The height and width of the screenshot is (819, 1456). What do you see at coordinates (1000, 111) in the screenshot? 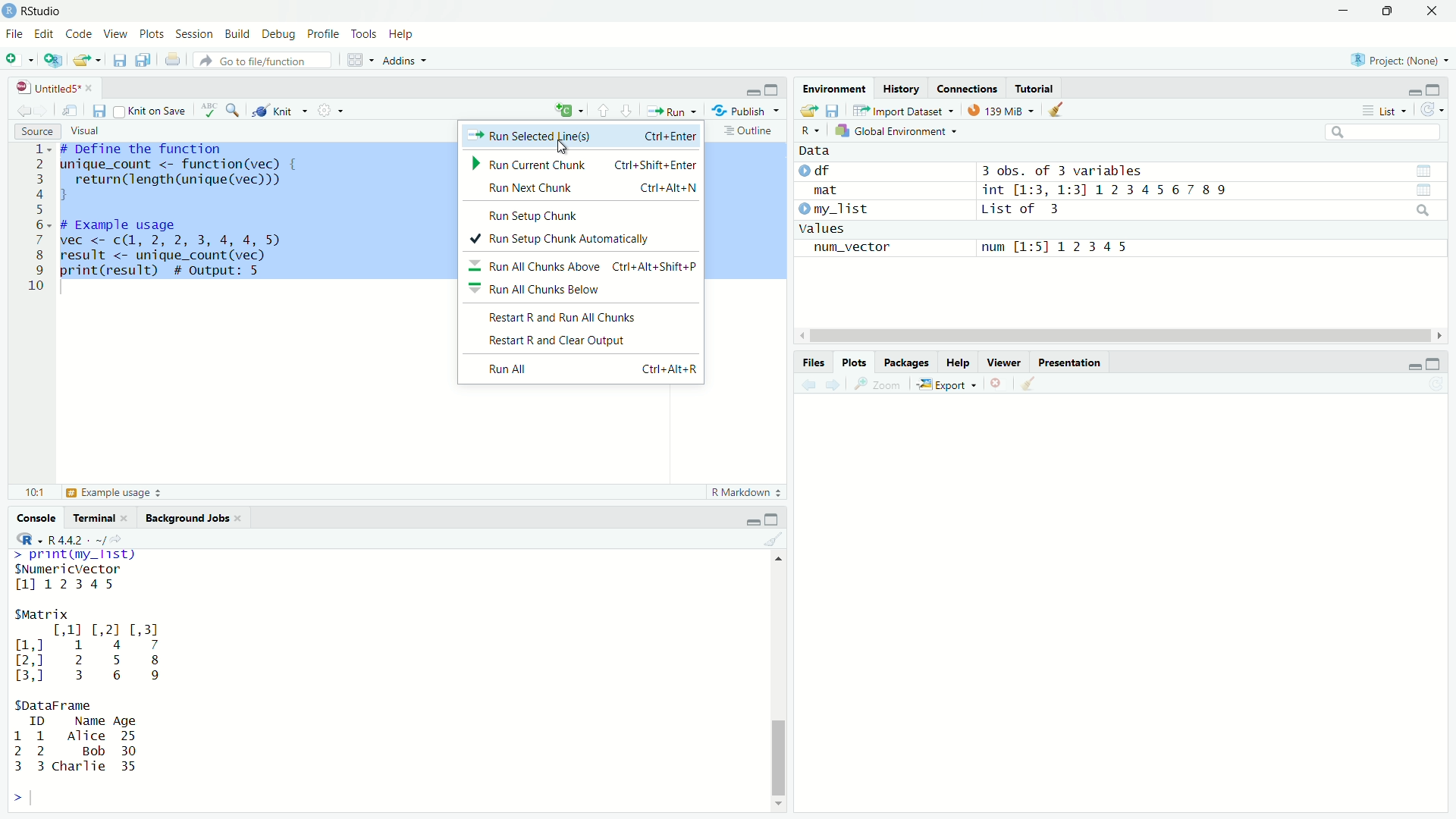
I see `139Mib` at bounding box center [1000, 111].